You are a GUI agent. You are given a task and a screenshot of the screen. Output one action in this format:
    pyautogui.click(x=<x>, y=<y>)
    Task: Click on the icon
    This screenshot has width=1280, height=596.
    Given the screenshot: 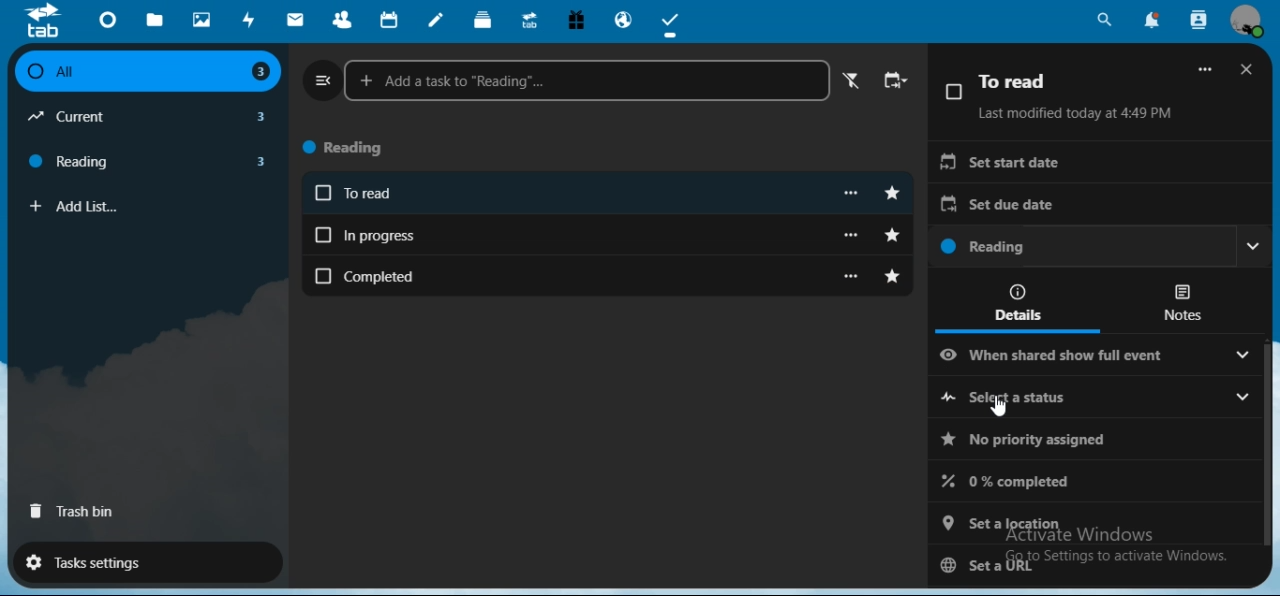 What is the action you would take?
    pyautogui.click(x=49, y=21)
    